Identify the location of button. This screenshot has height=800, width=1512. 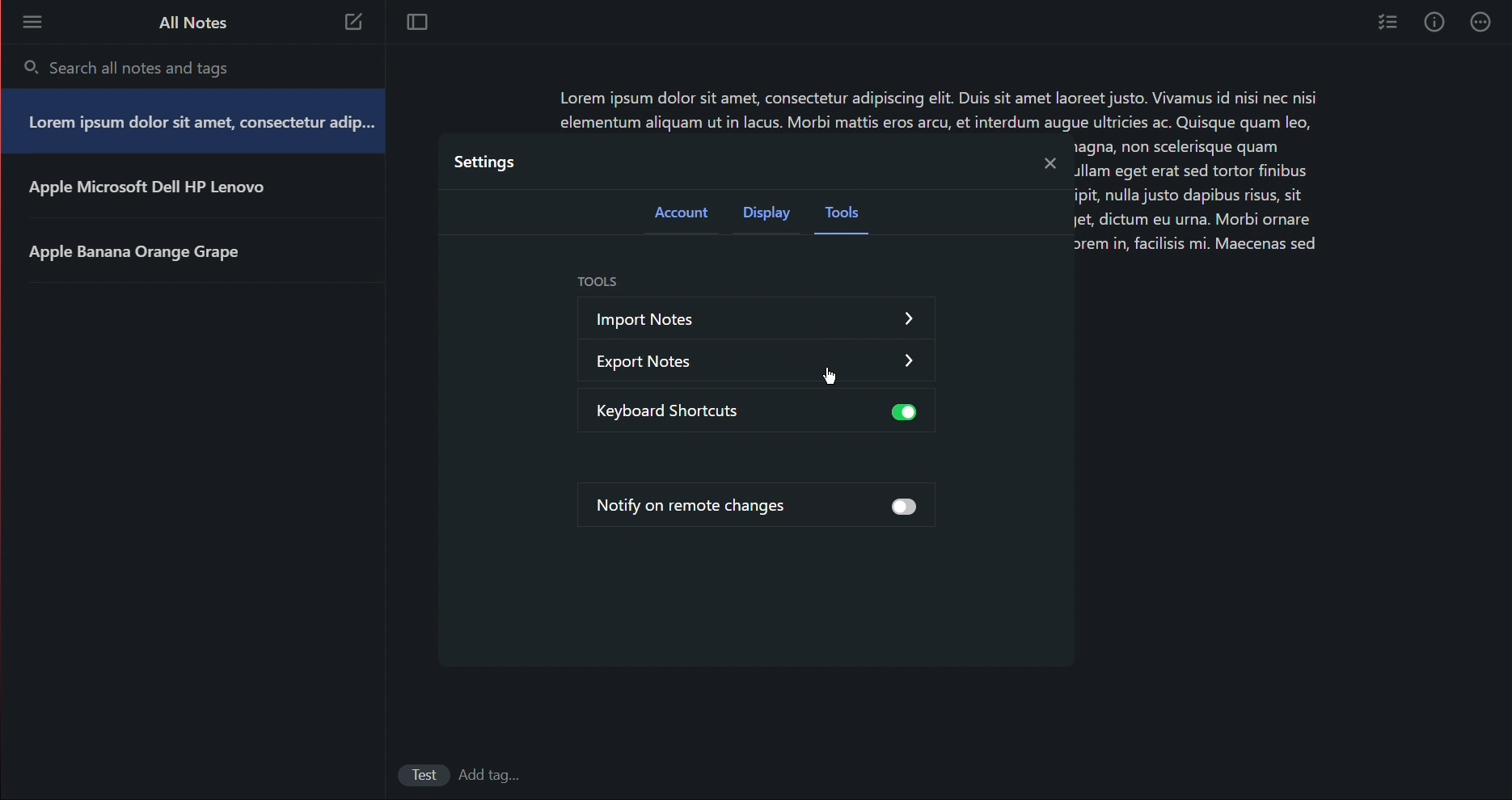
(905, 507).